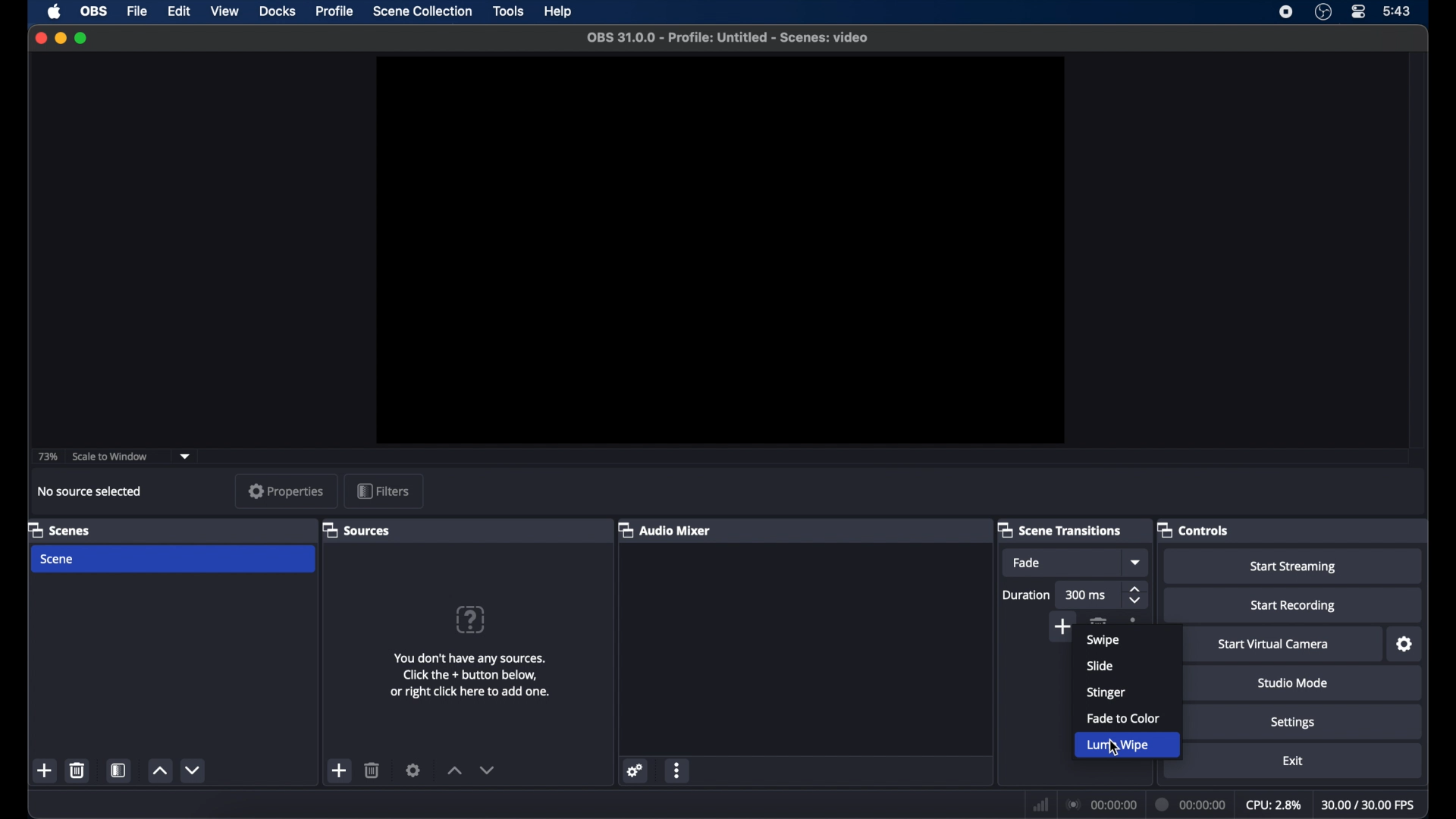 This screenshot has width=1456, height=819. I want to click on add, so click(340, 770).